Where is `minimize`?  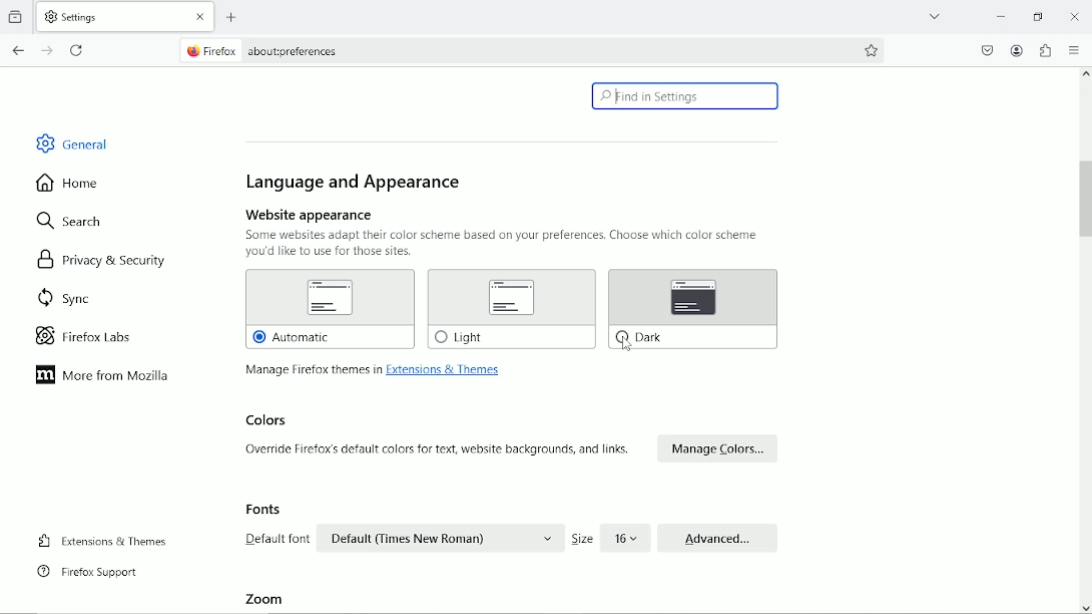
minimize is located at coordinates (999, 16).